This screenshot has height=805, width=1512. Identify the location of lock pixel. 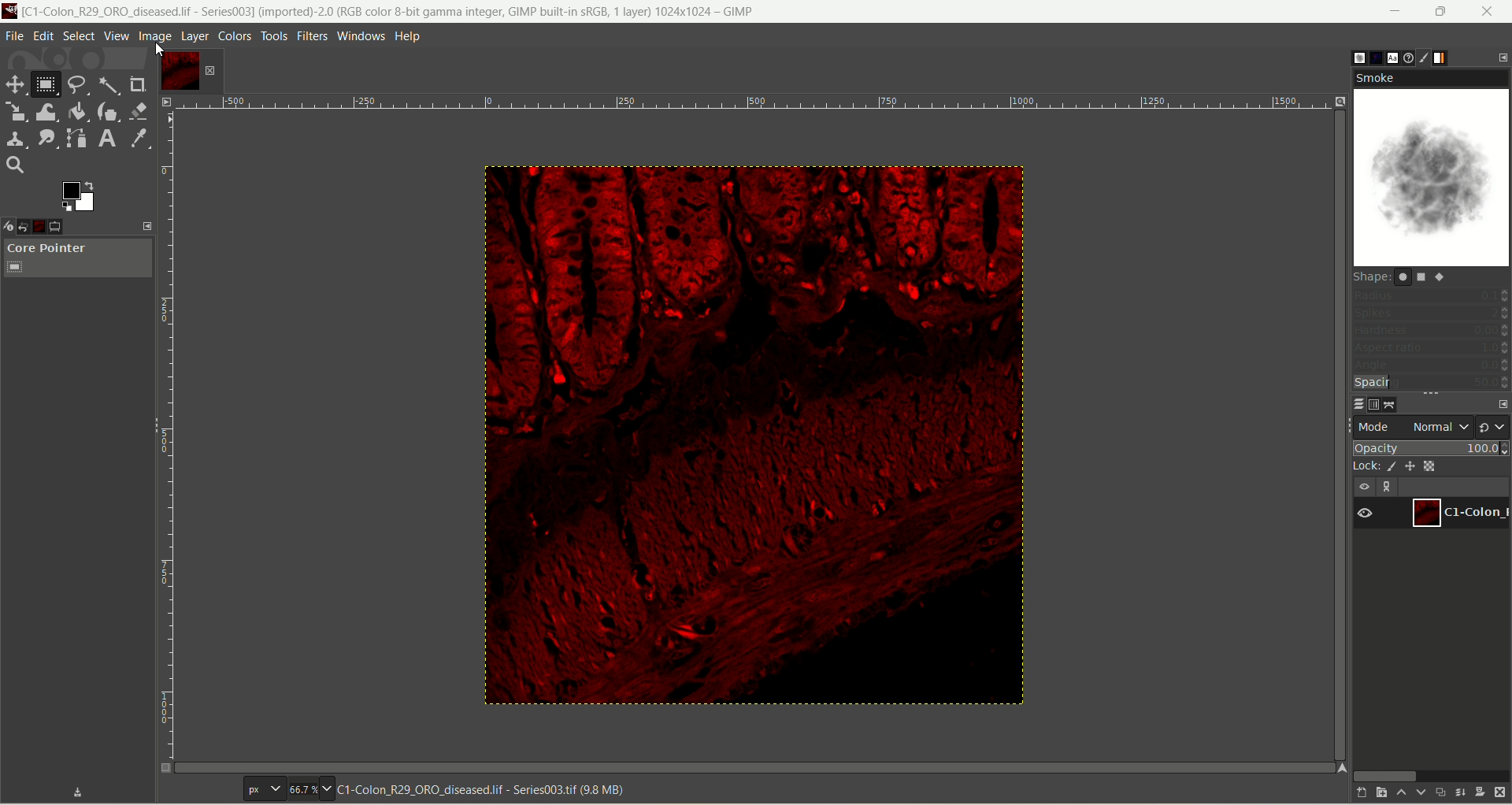
(1392, 467).